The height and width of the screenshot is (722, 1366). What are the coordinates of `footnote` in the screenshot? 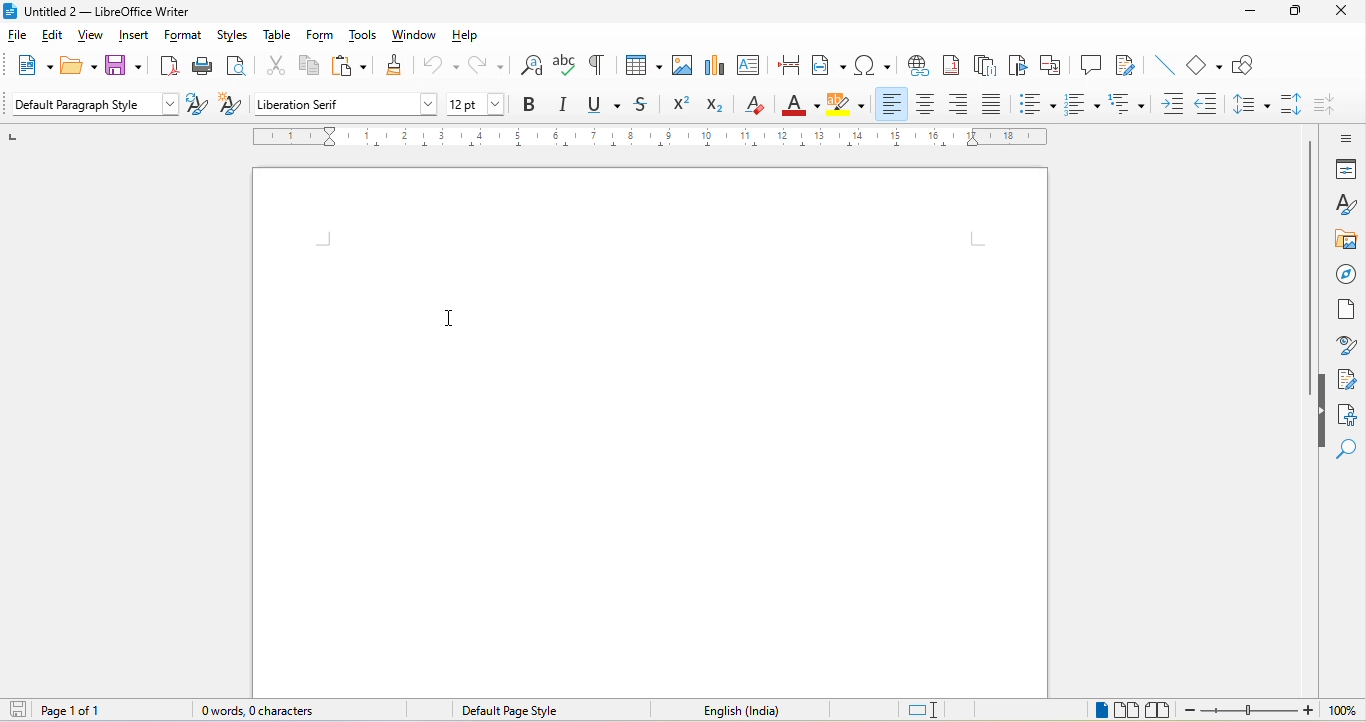 It's located at (954, 67).